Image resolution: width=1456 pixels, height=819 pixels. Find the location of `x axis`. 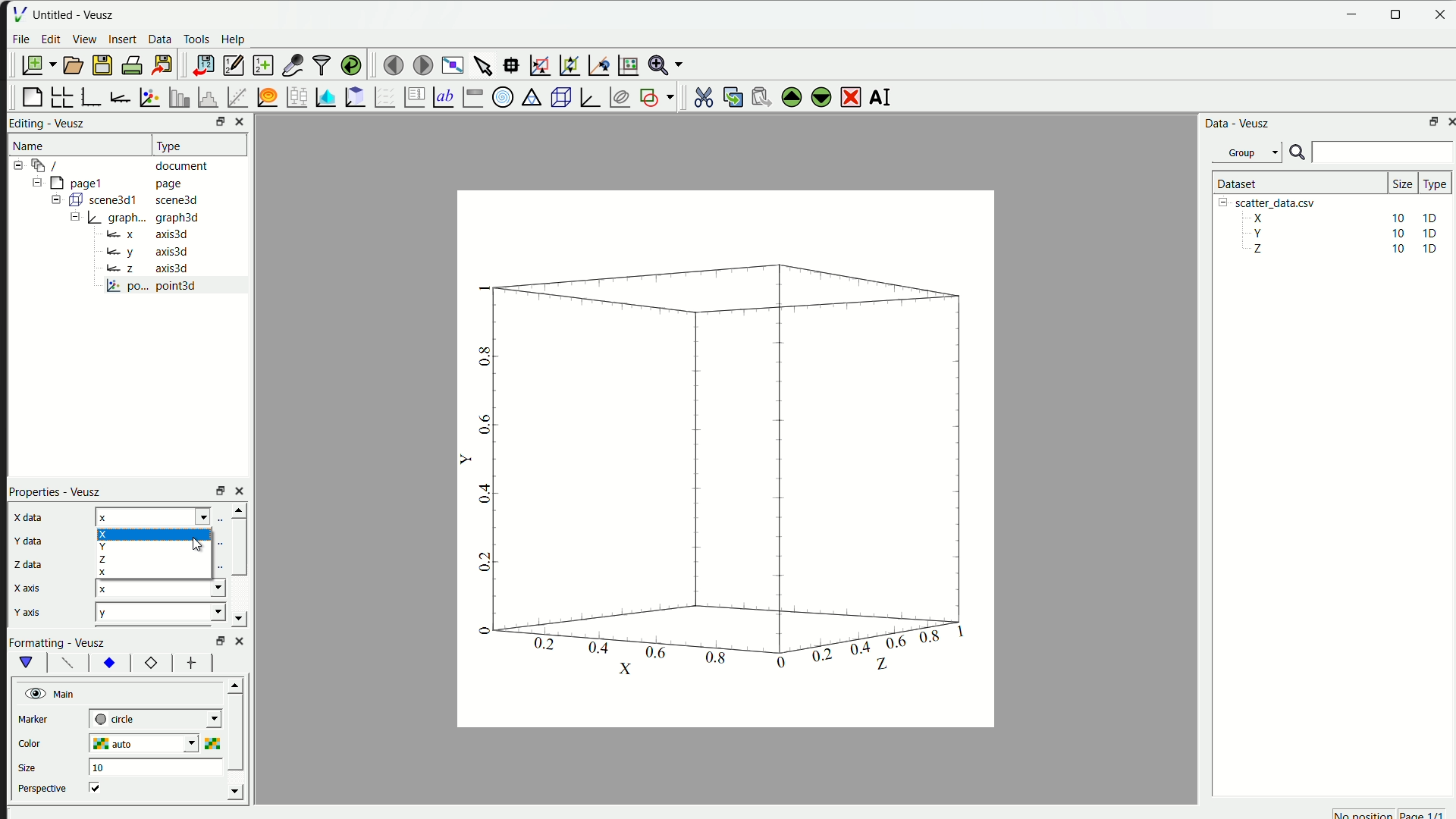

x axis is located at coordinates (28, 588).